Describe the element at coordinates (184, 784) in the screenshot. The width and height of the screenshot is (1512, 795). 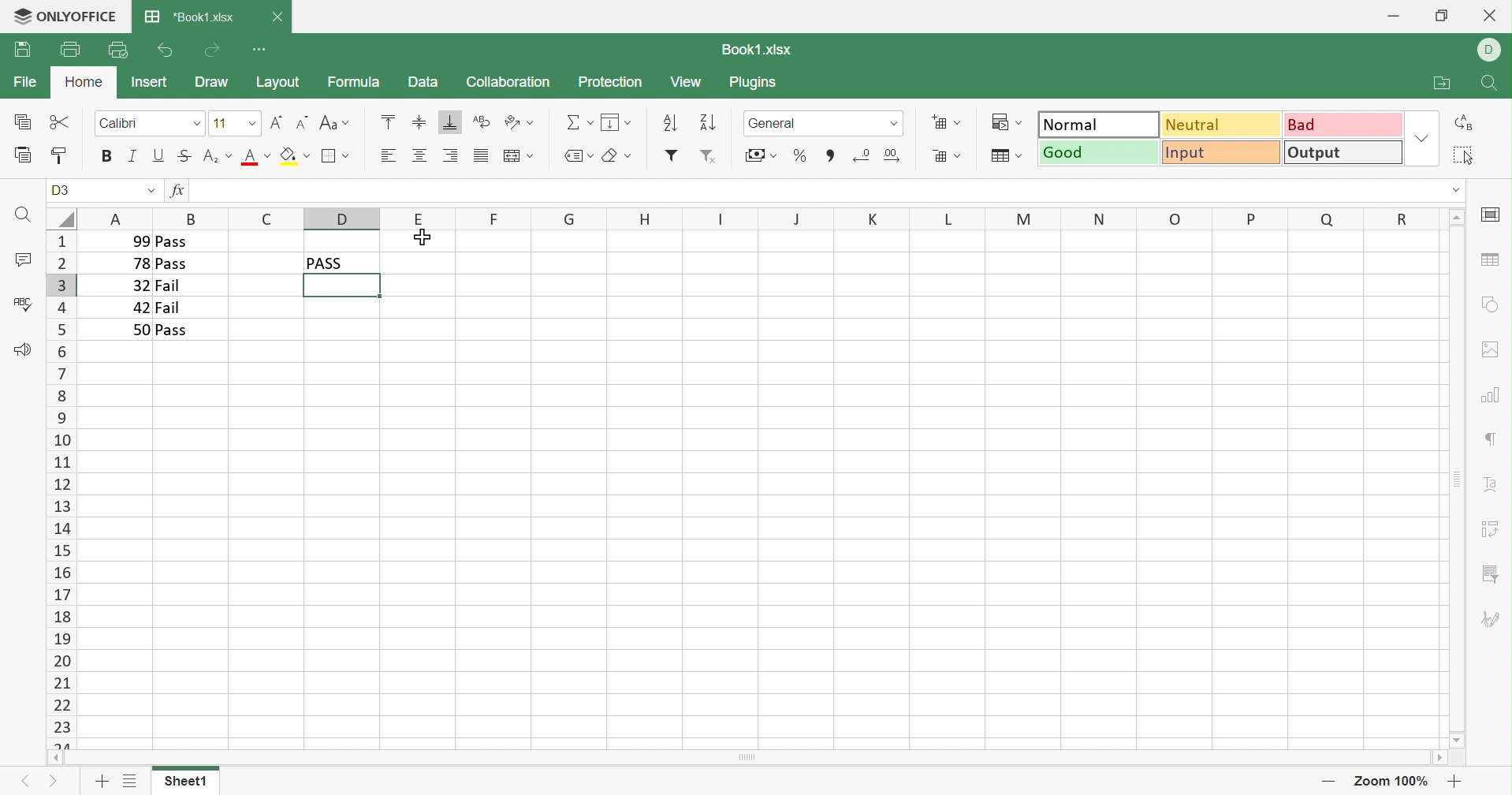
I see `Sheet1` at that location.